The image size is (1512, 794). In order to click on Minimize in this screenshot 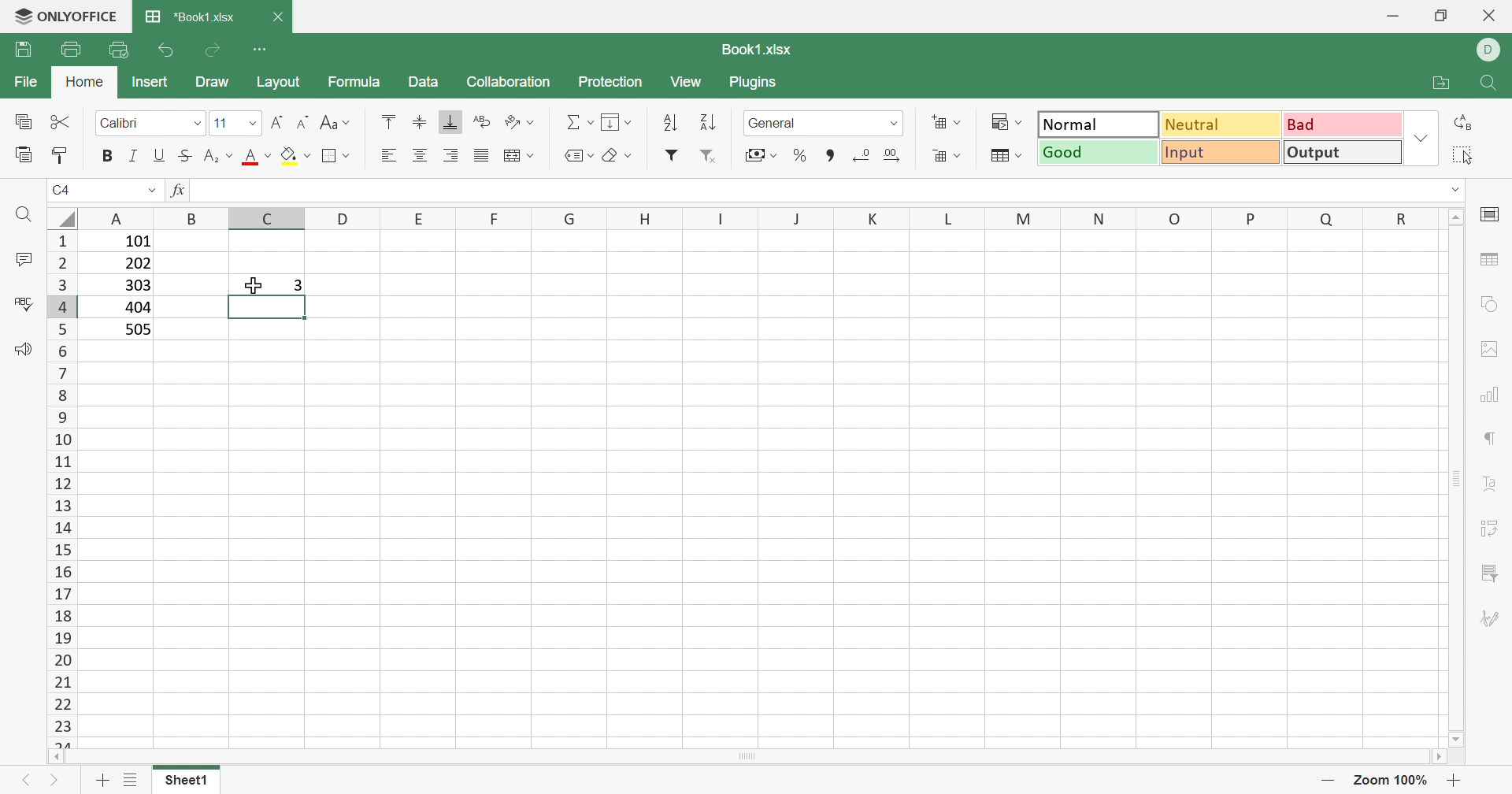, I will do `click(1395, 13)`.